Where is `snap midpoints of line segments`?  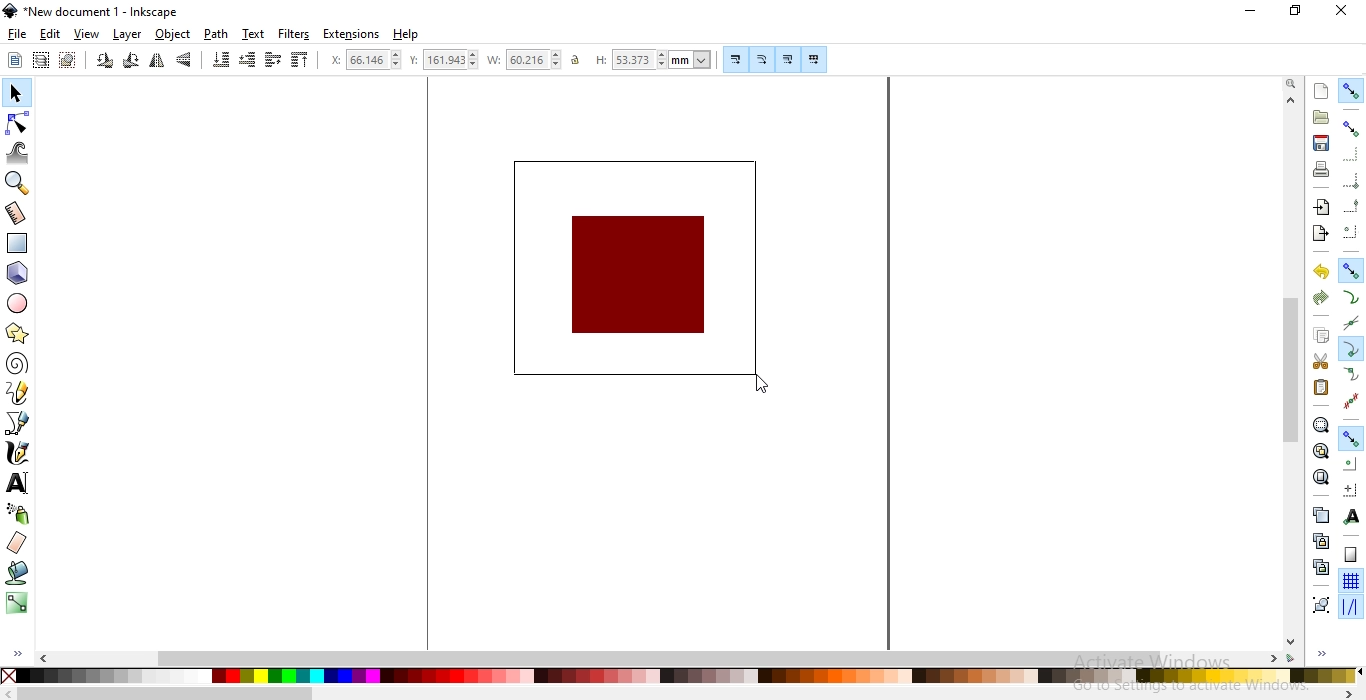 snap midpoints of line segments is located at coordinates (1354, 399).